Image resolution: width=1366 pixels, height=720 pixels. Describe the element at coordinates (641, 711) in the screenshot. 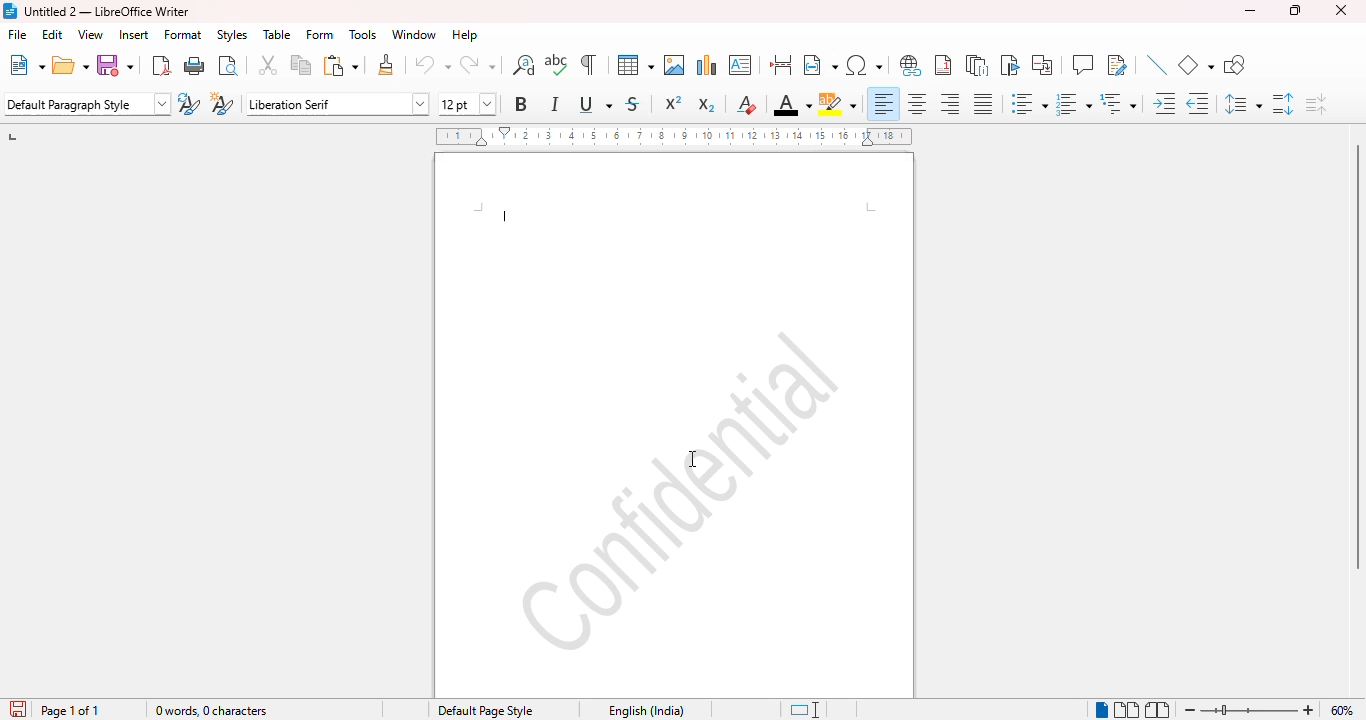

I see `English (India)` at that location.